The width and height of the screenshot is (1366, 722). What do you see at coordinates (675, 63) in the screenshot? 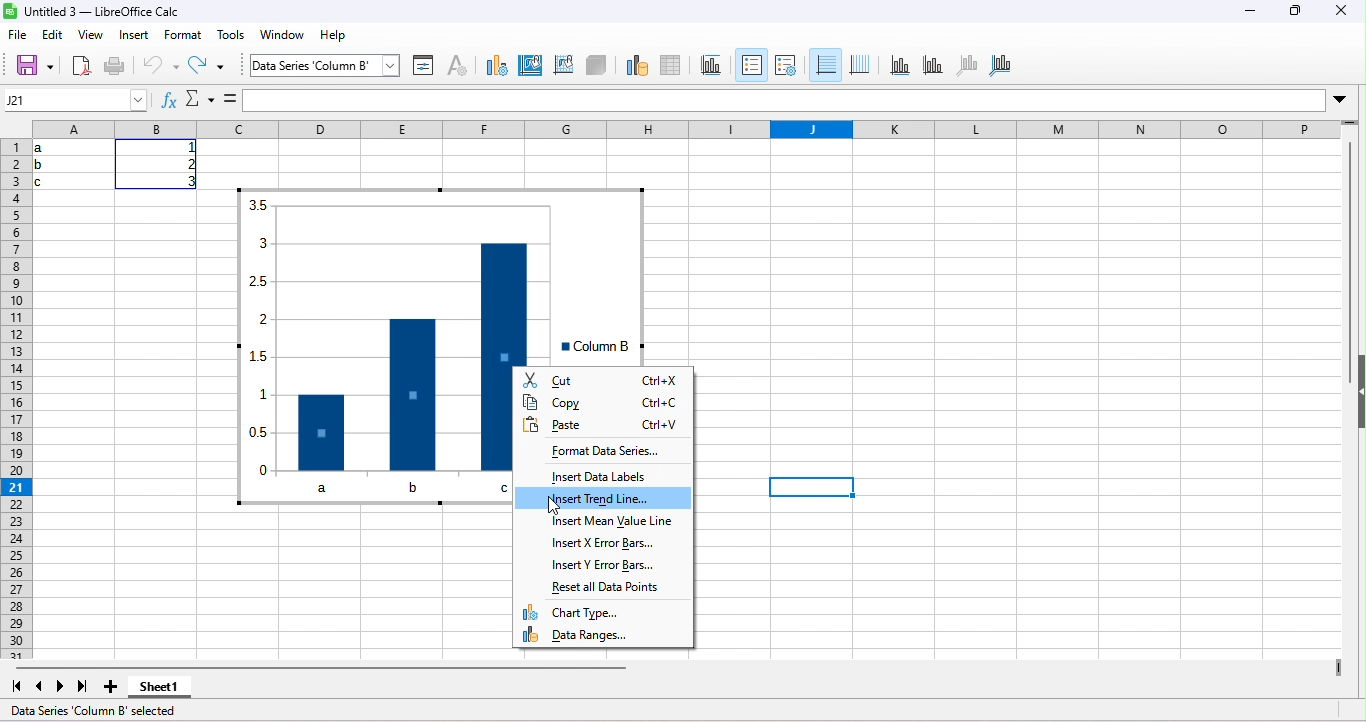
I see `data table ` at bounding box center [675, 63].